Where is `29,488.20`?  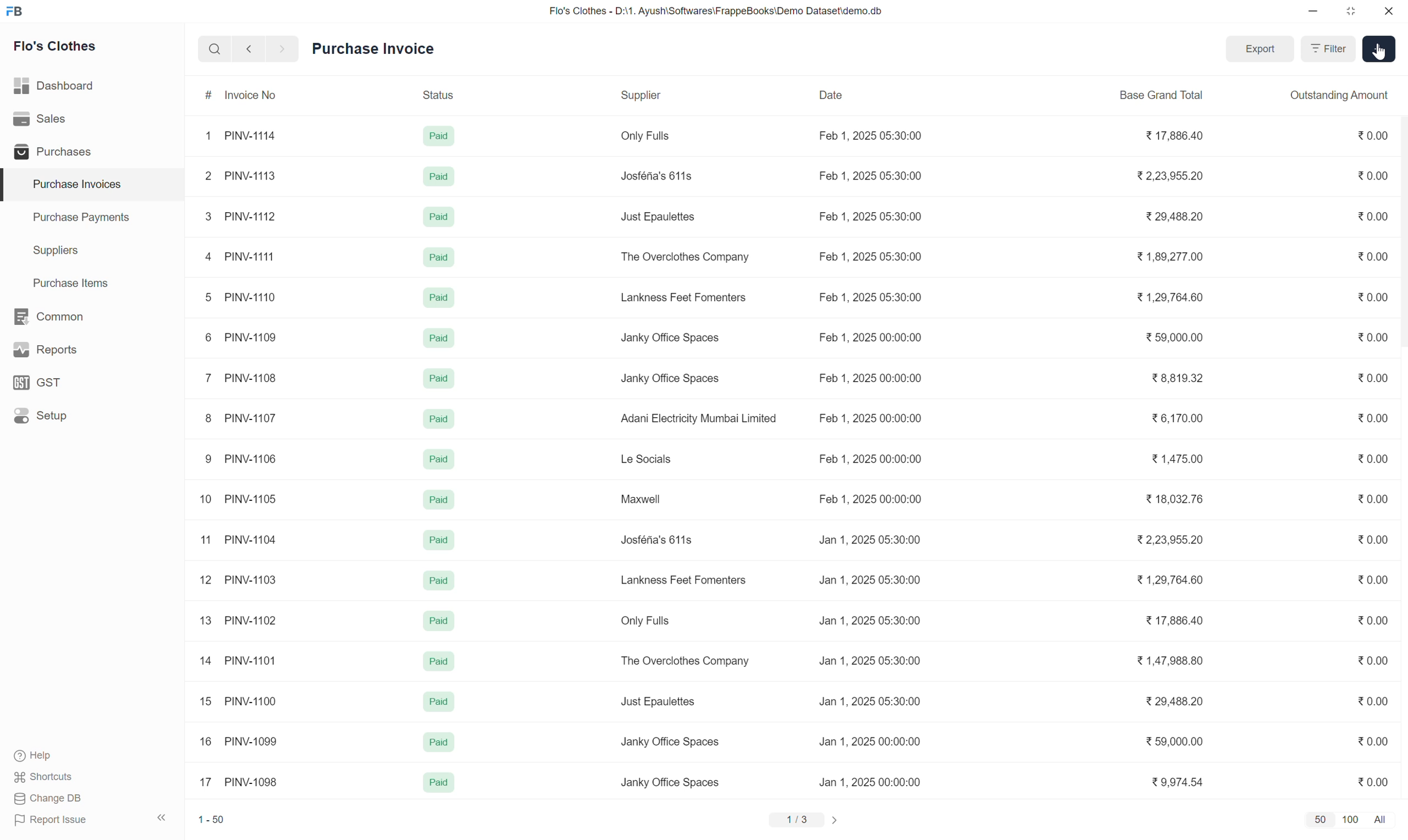 29,488.20 is located at coordinates (1172, 216).